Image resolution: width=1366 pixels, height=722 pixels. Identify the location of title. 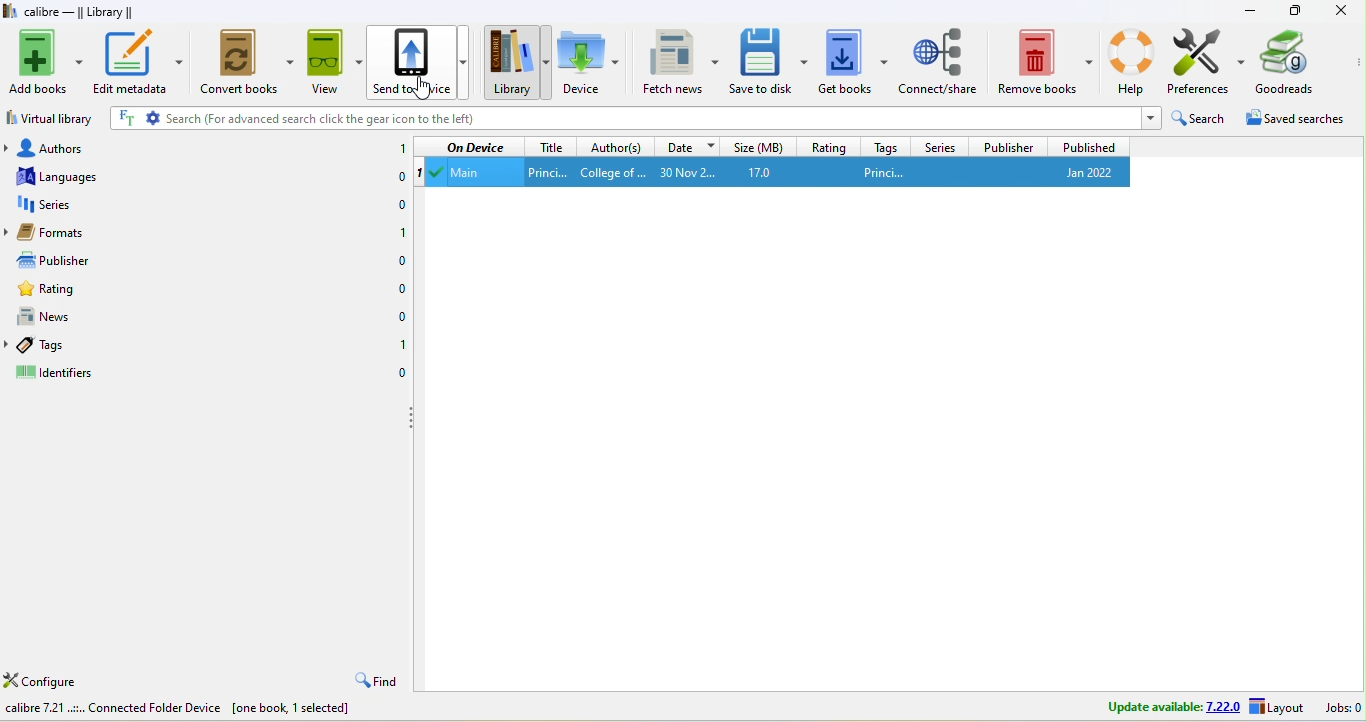
(552, 147).